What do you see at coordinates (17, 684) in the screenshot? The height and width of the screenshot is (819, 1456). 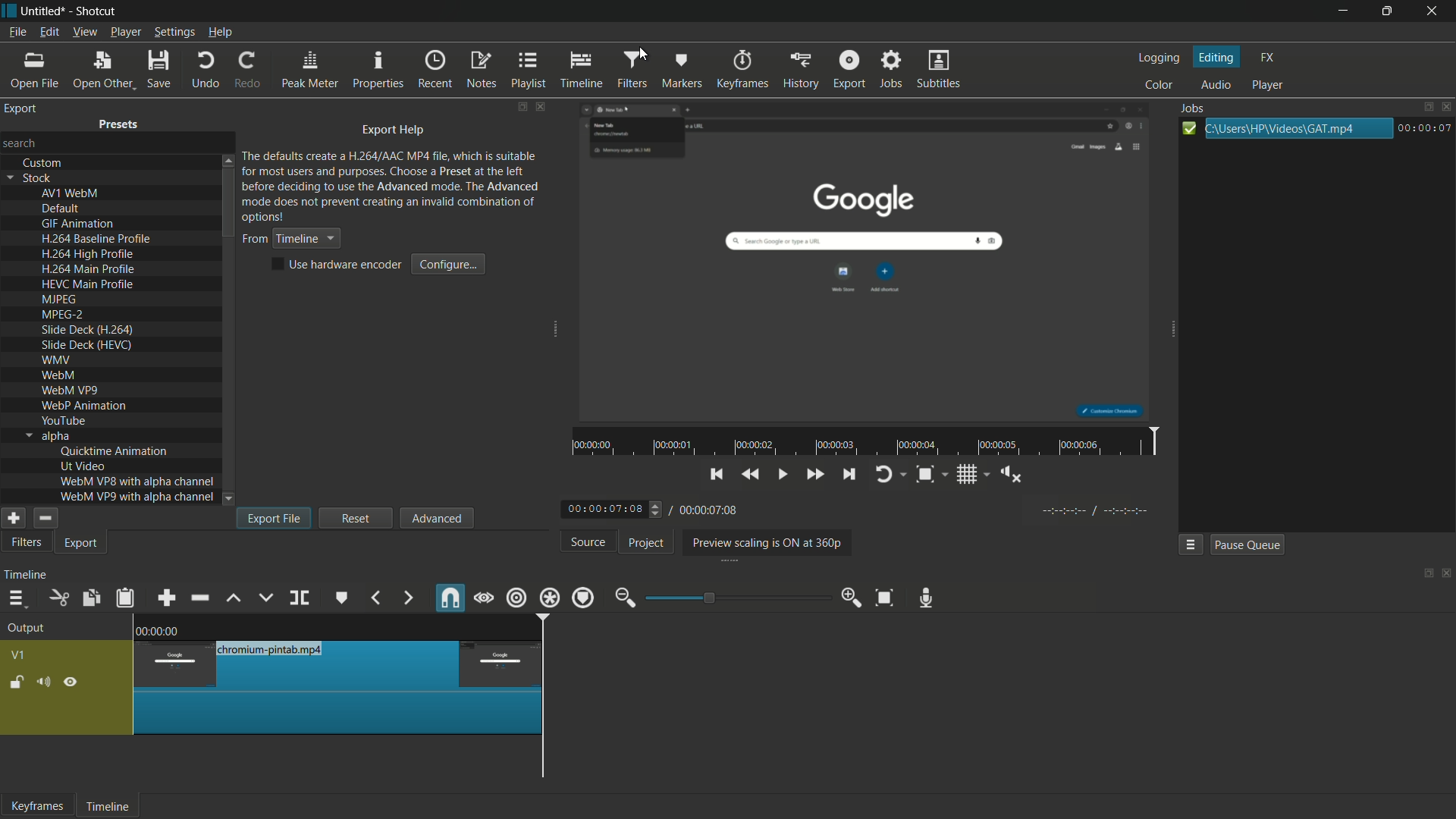 I see `lock` at bounding box center [17, 684].